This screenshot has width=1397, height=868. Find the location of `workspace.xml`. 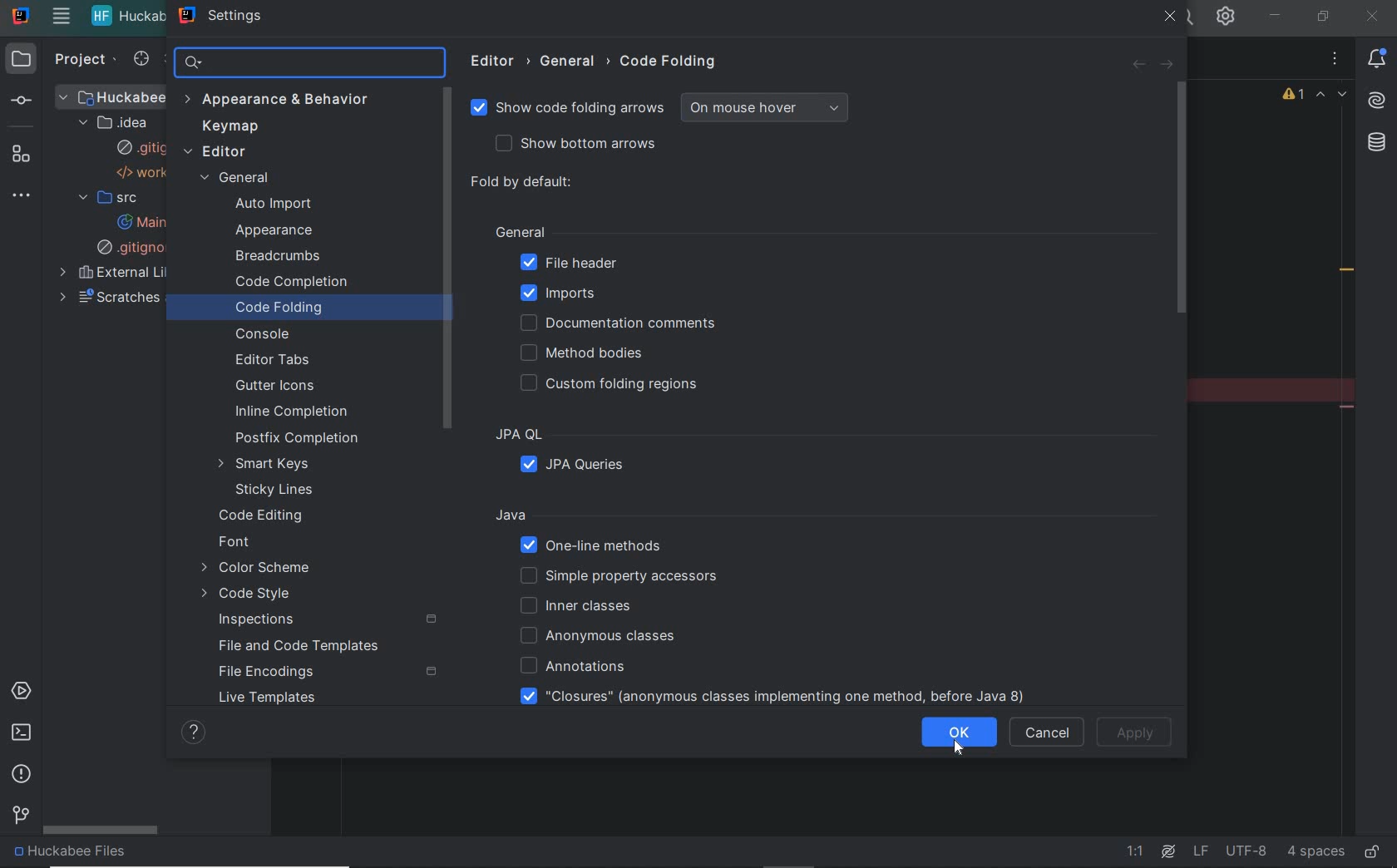

workspace.xml is located at coordinates (146, 174).